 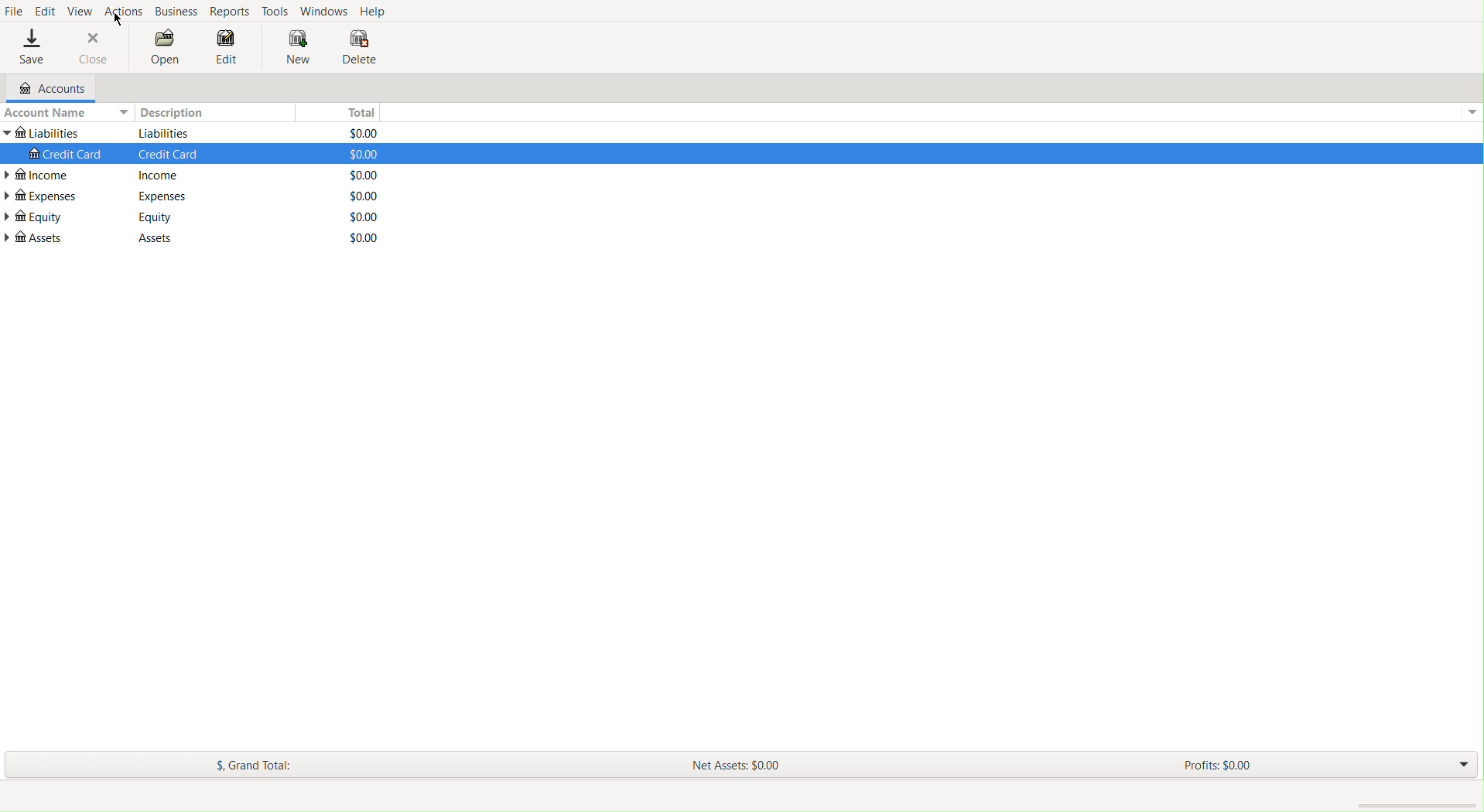 What do you see at coordinates (1469, 113) in the screenshot?
I see `Dropdown` at bounding box center [1469, 113].